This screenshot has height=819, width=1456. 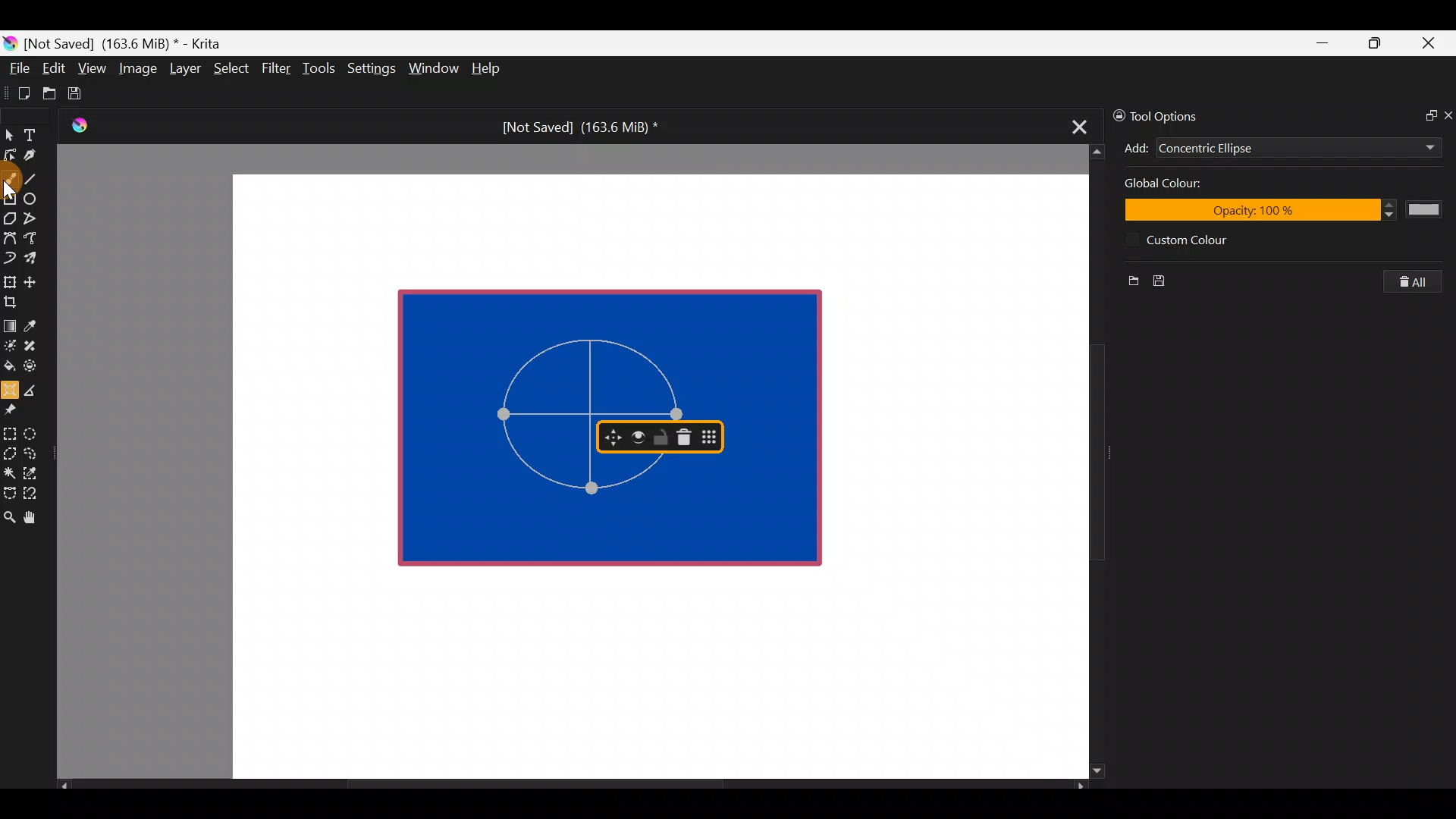 What do you see at coordinates (1129, 149) in the screenshot?
I see `Add` at bounding box center [1129, 149].